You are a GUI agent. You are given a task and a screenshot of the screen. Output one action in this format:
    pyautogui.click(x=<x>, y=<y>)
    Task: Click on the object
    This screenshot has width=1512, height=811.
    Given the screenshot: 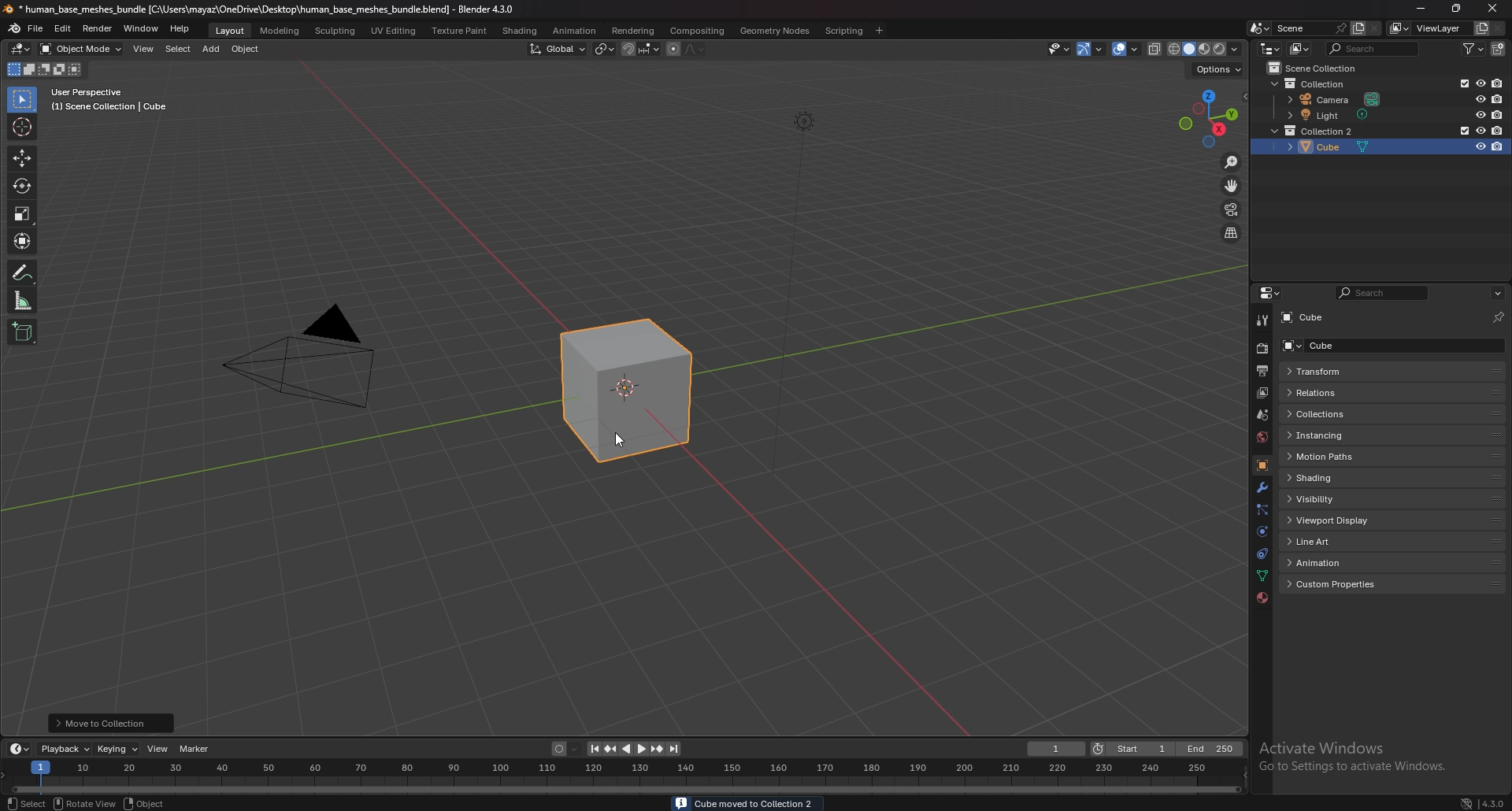 What is the action you would take?
    pyautogui.click(x=246, y=49)
    